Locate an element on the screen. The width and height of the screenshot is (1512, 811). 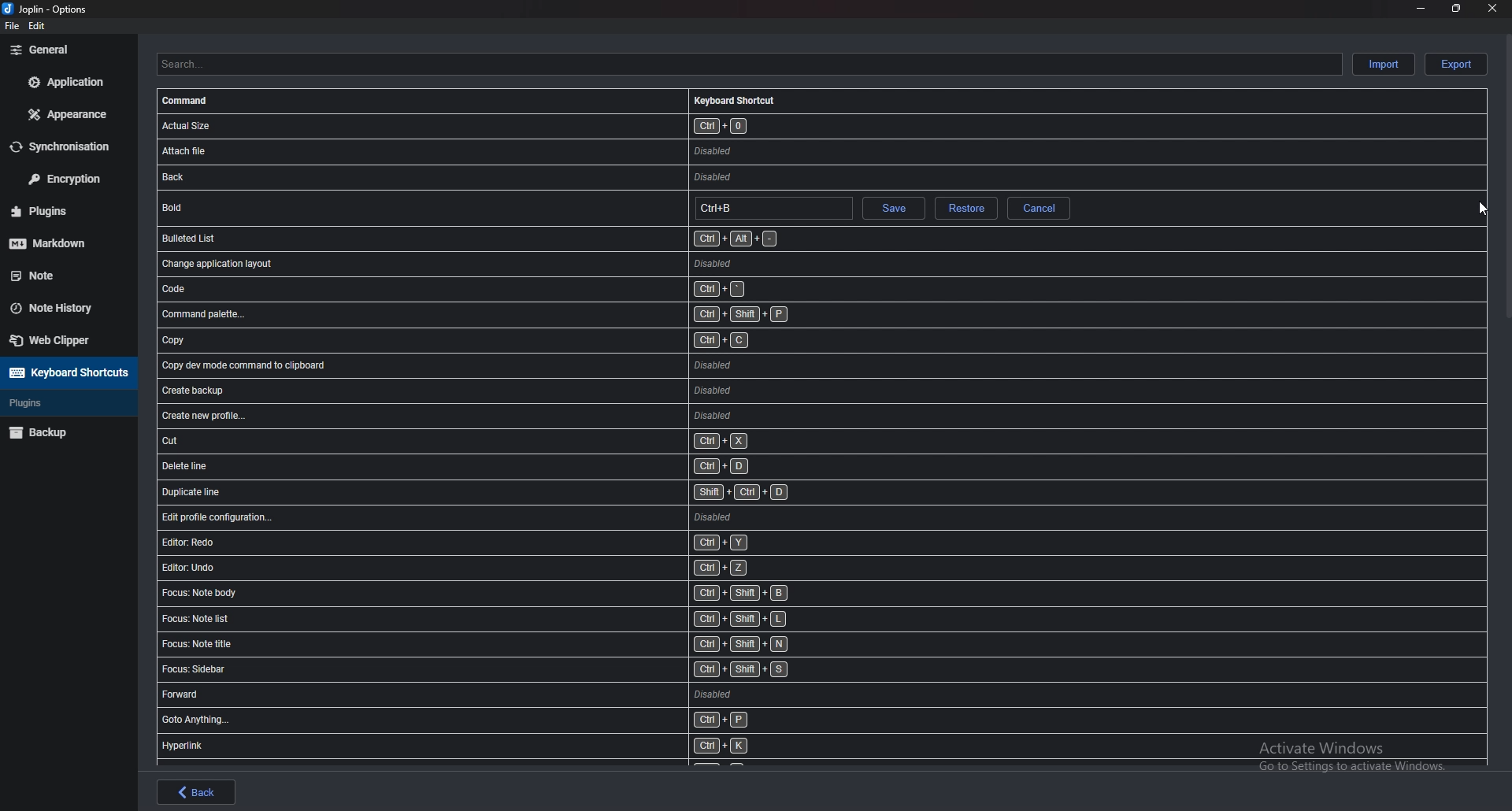
shortcut is located at coordinates (472, 153).